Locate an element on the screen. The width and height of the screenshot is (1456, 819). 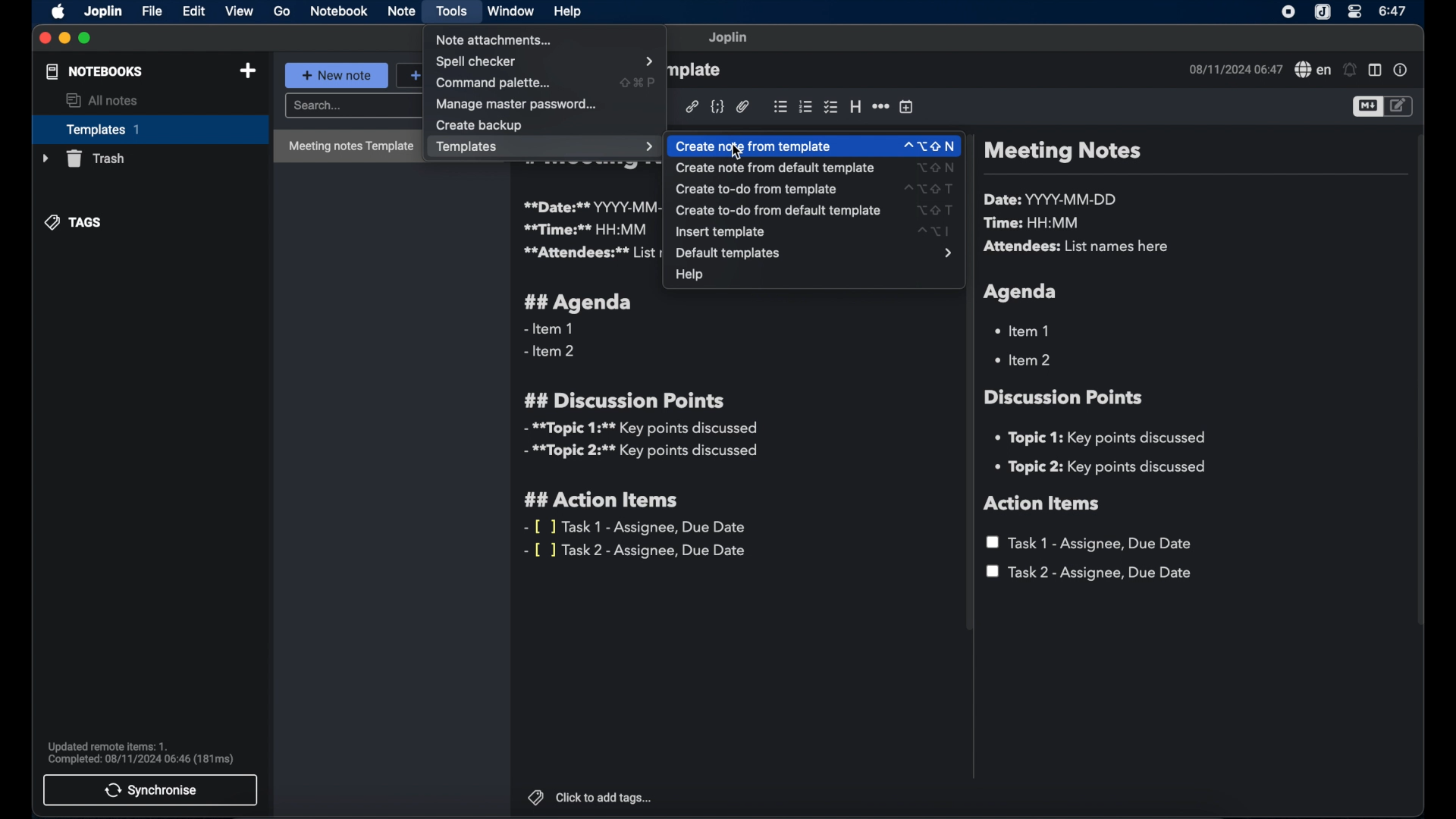
tags is located at coordinates (75, 222).